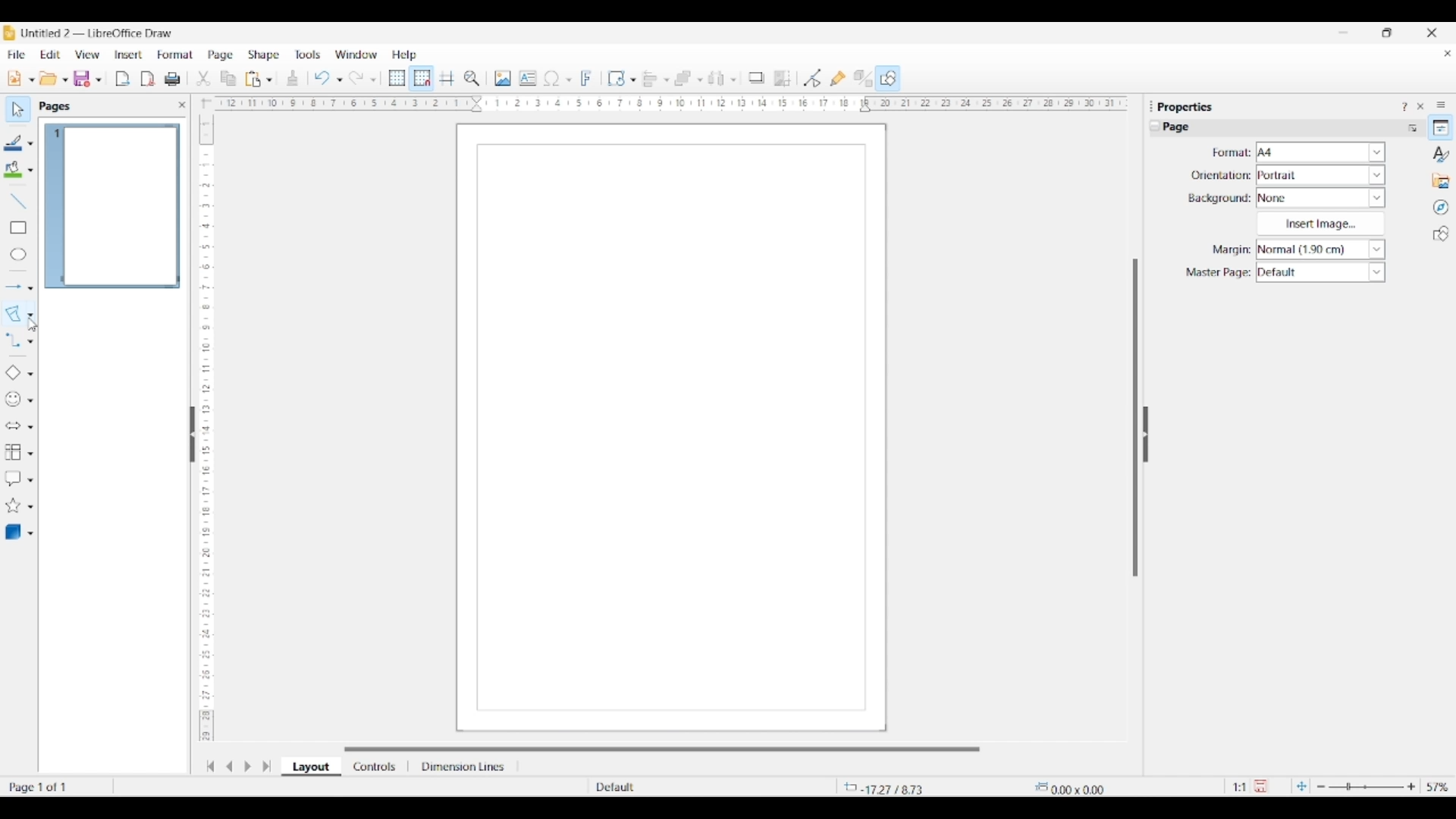 Image resolution: width=1456 pixels, height=819 pixels. What do you see at coordinates (667, 80) in the screenshot?
I see `Align object options` at bounding box center [667, 80].